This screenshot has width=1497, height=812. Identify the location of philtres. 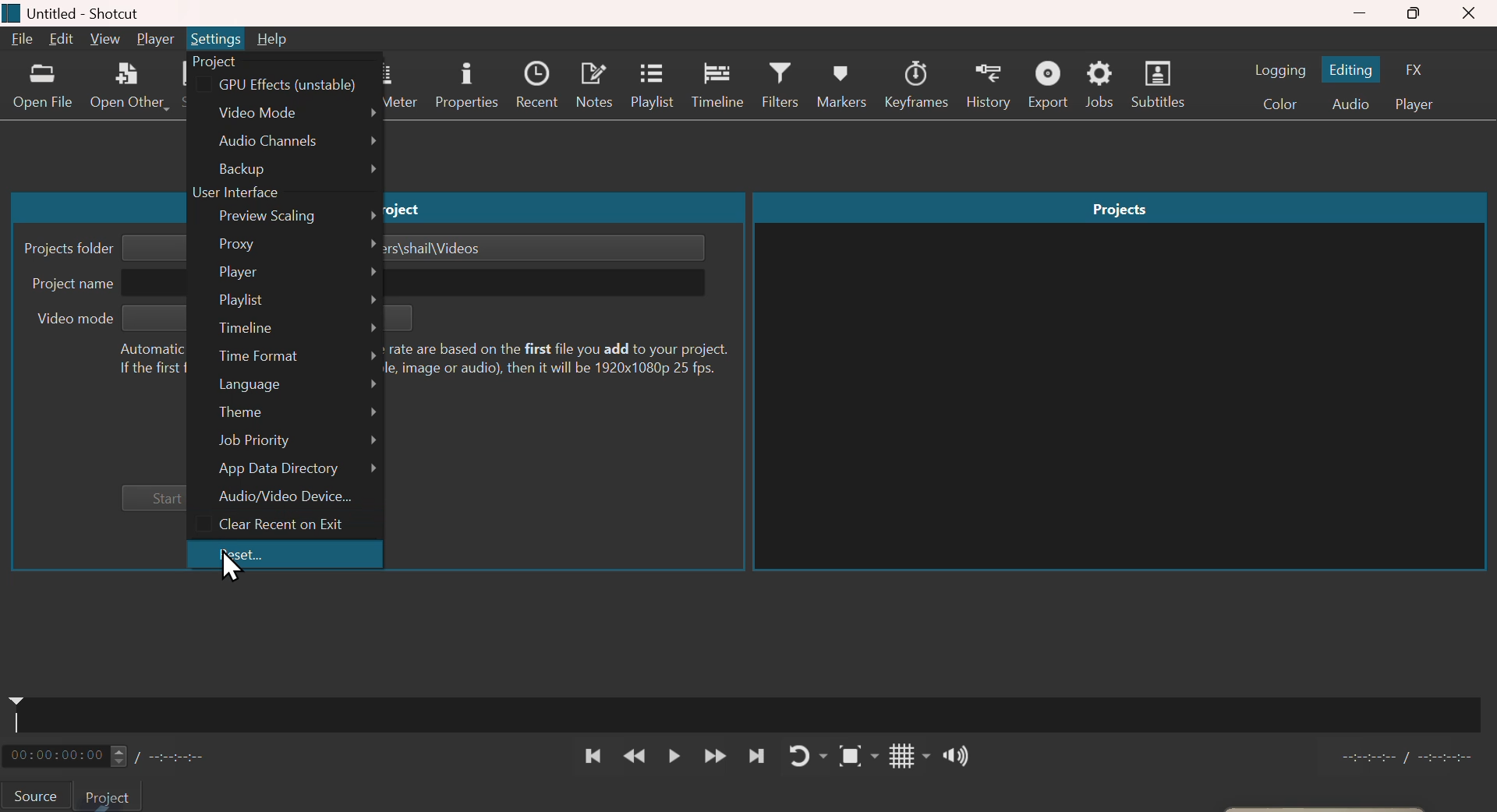
(784, 86).